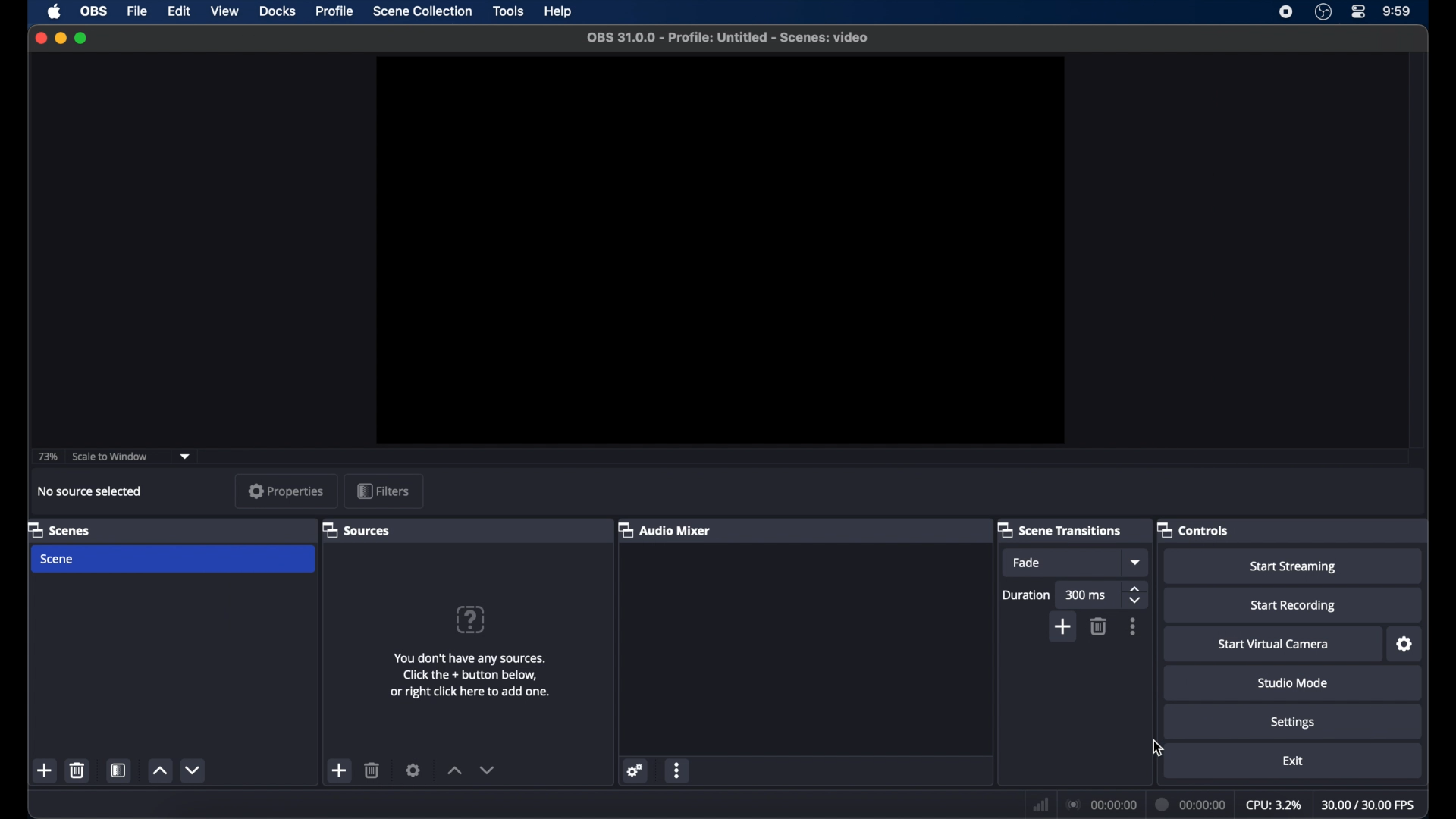 The height and width of the screenshot is (819, 1456). Describe the element at coordinates (455, 772) in the screenshot. I see `increment` at that location.